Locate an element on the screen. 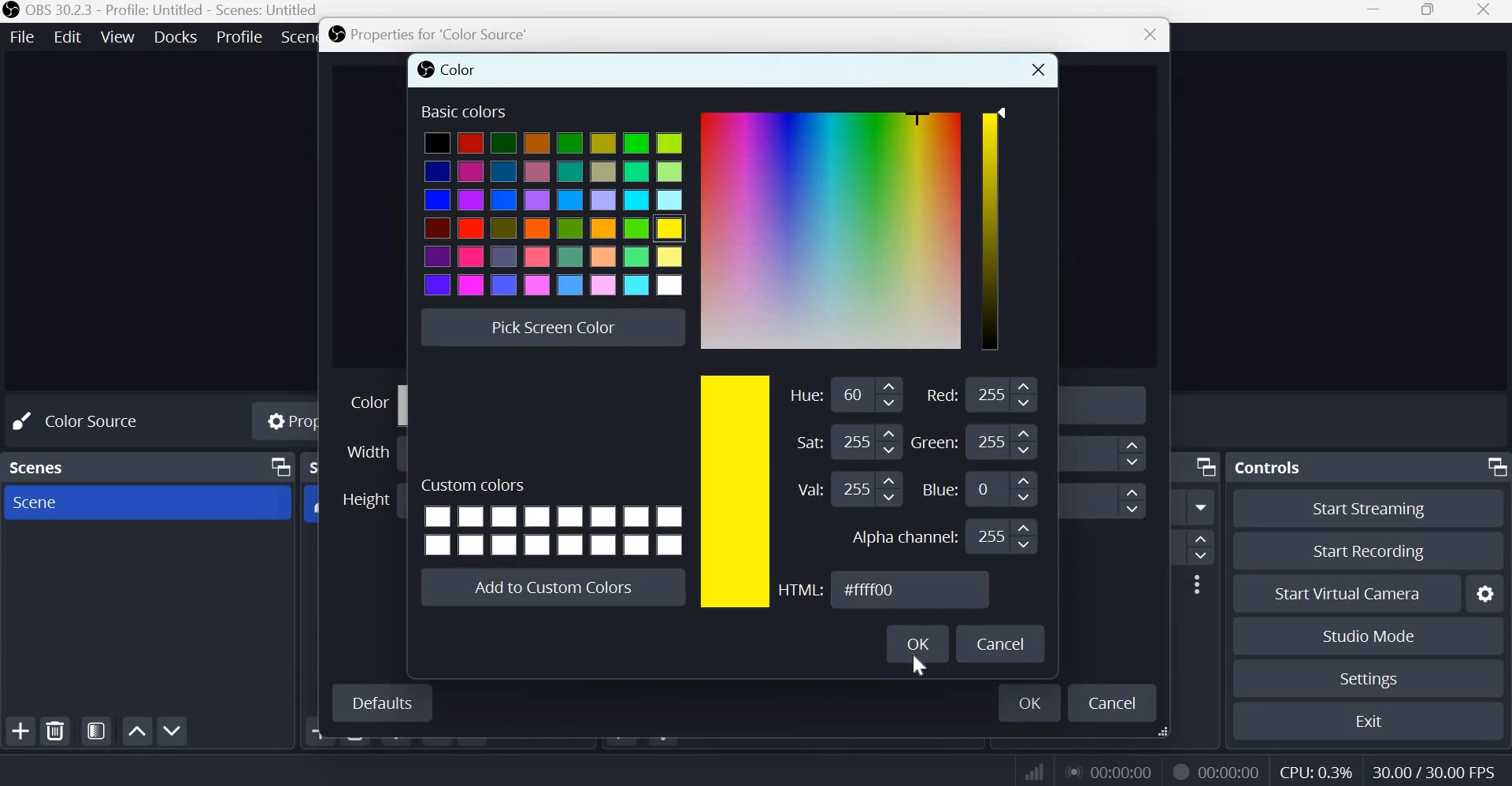 Image resolution: width=1512 pixels, height=786 pixels. Scene Collection is located at coordinates (297, 37).